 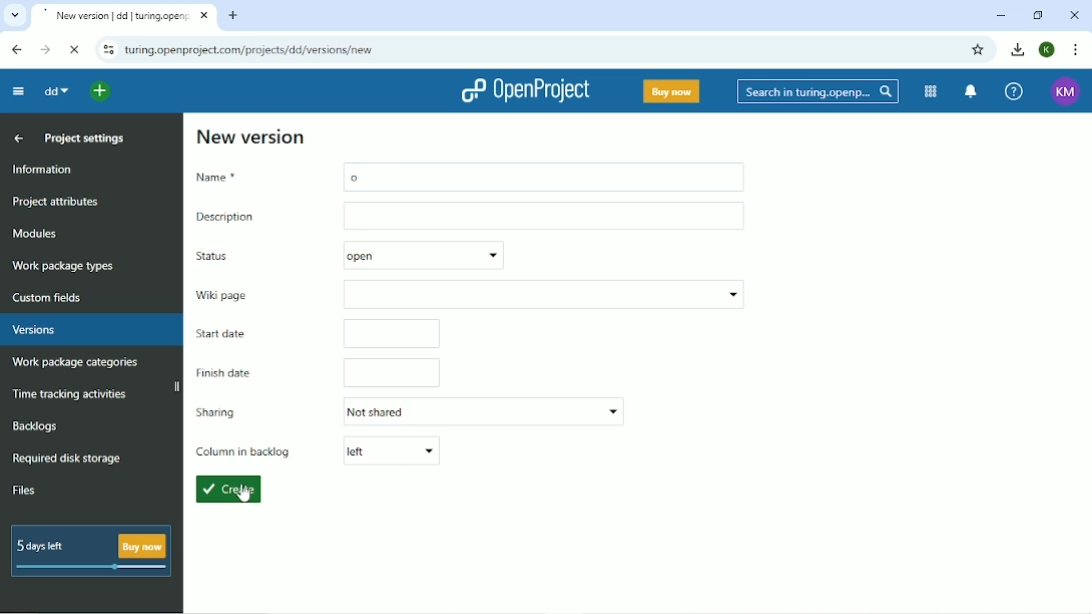 I want to click on o, so click(x=356, y=176).